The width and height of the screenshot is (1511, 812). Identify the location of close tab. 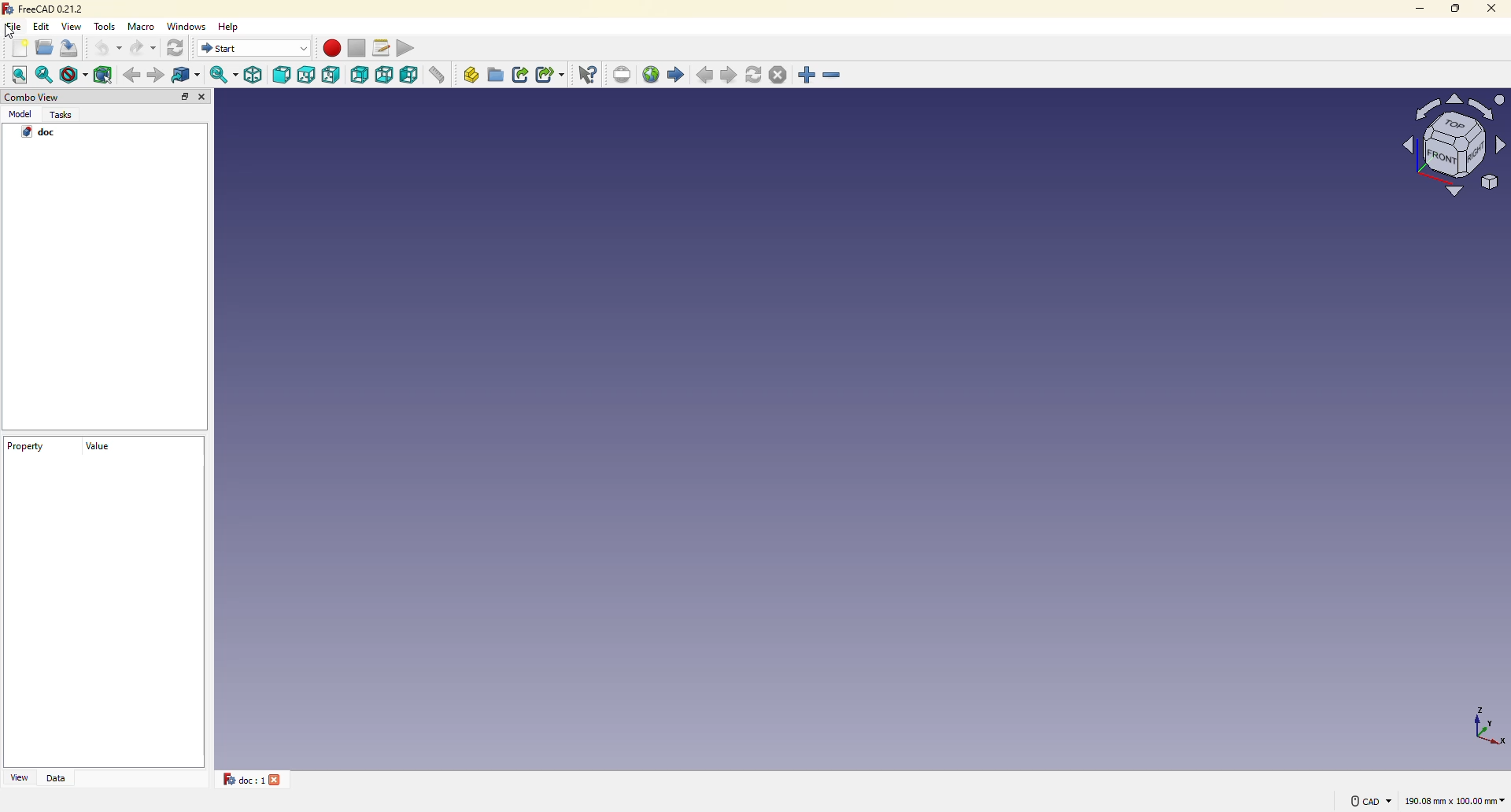
(279, 779).